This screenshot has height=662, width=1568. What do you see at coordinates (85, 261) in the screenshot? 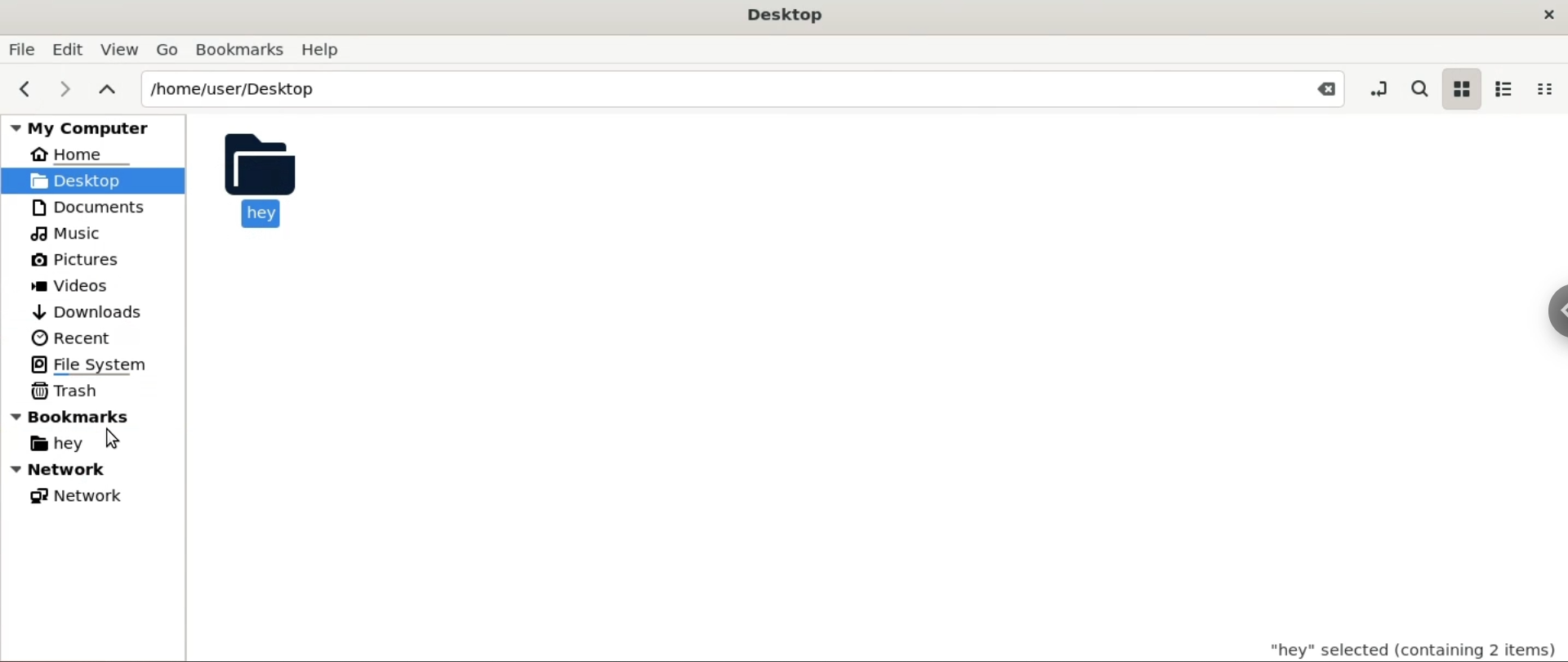
I see `Picture` at bounding box center [85, 261].